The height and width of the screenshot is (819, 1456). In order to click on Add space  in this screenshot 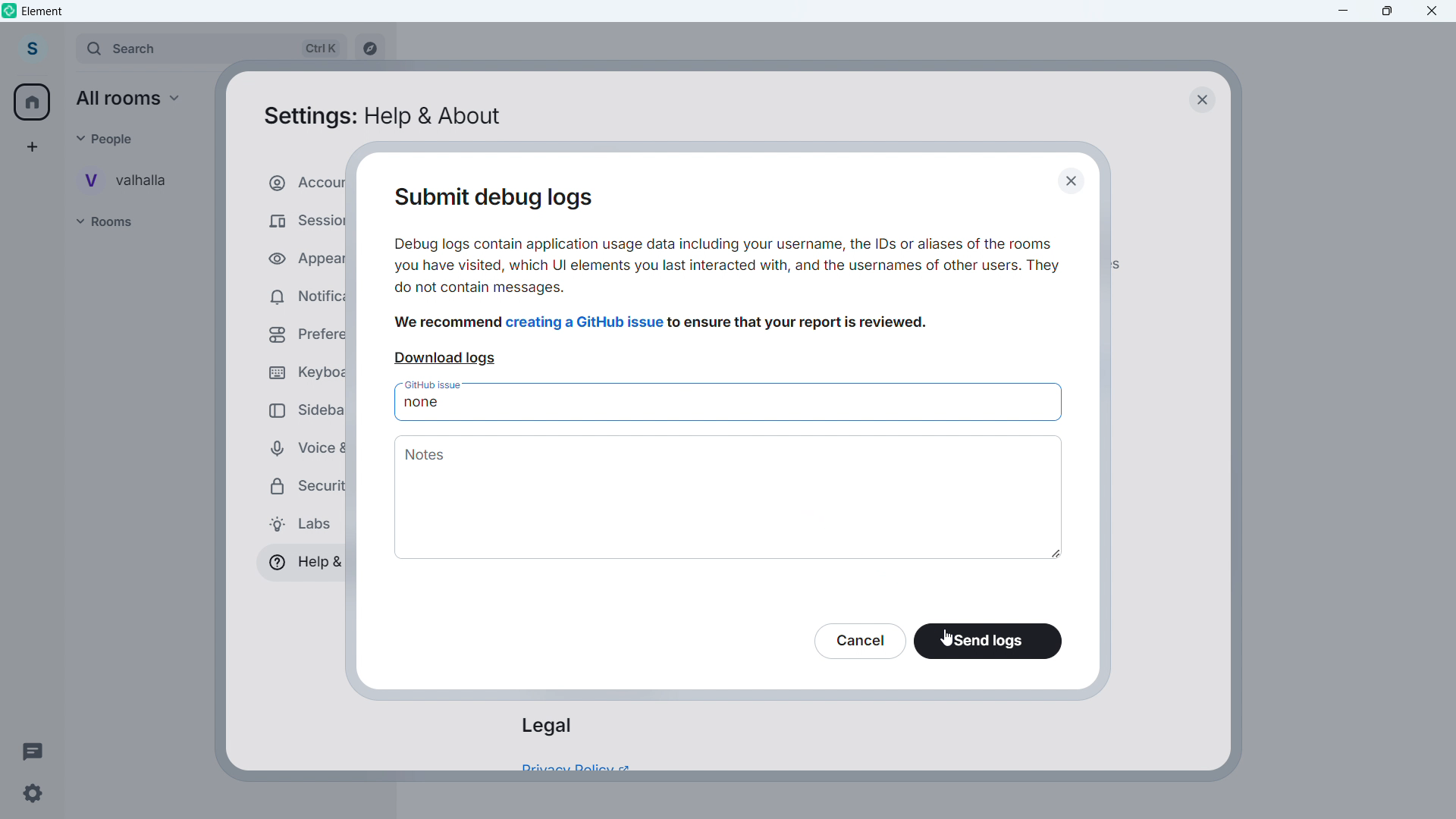, I will do `click(30, 146)`.